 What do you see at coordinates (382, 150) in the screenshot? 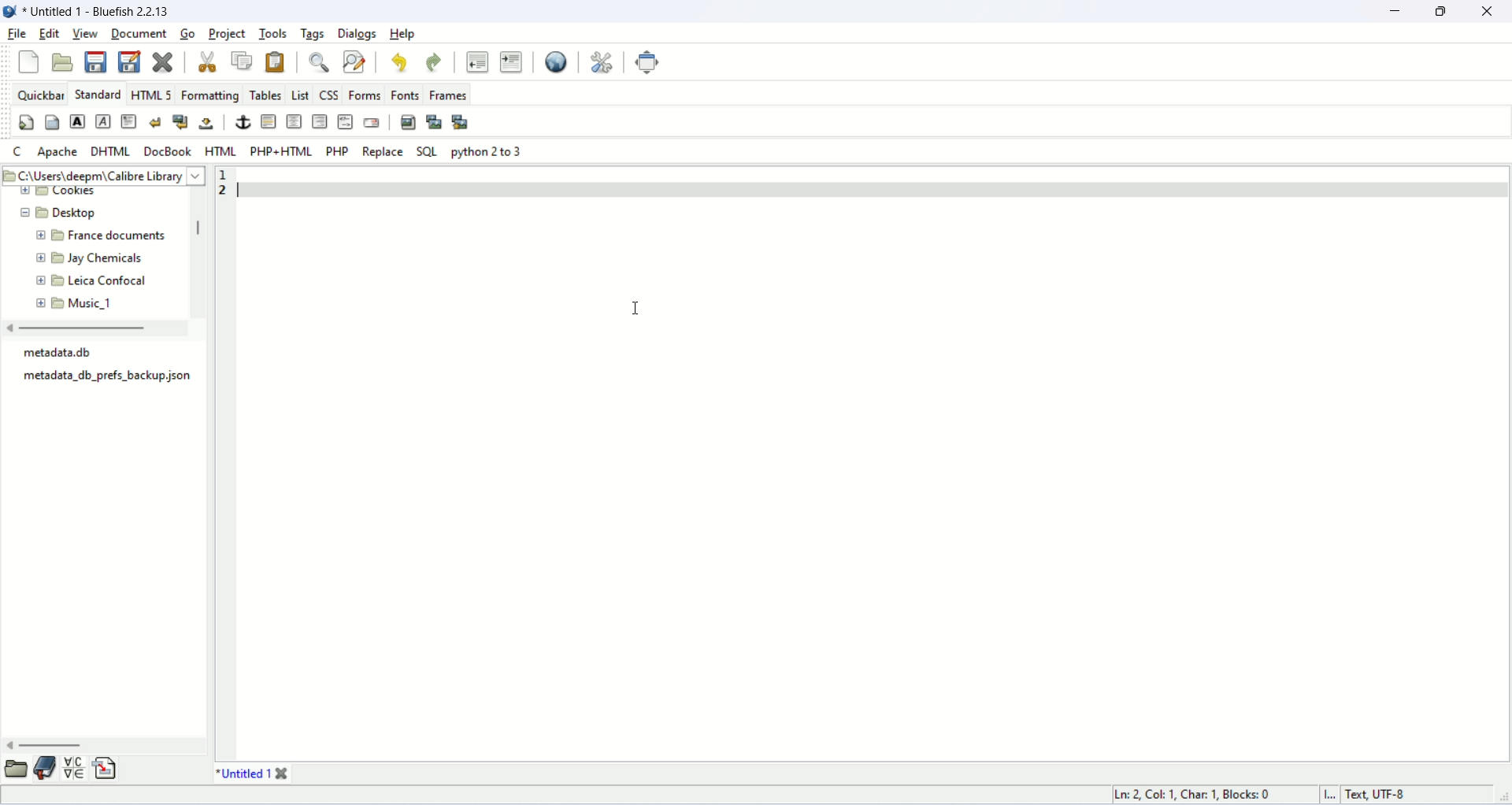
I see `replace` at bounding box center [382, 150].